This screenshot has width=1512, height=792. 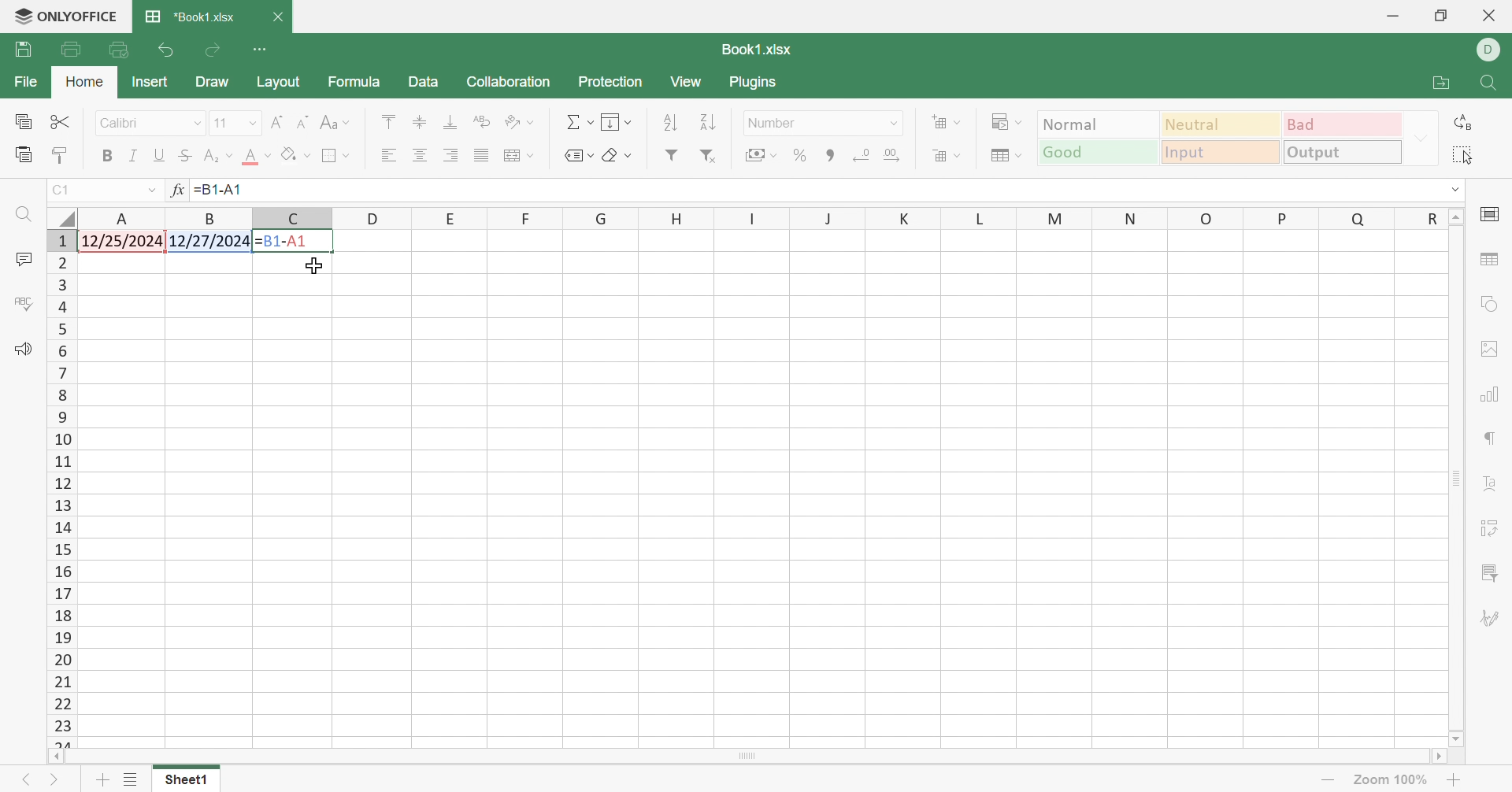 I want to click on Accounting style, so click(x=763, y=154).